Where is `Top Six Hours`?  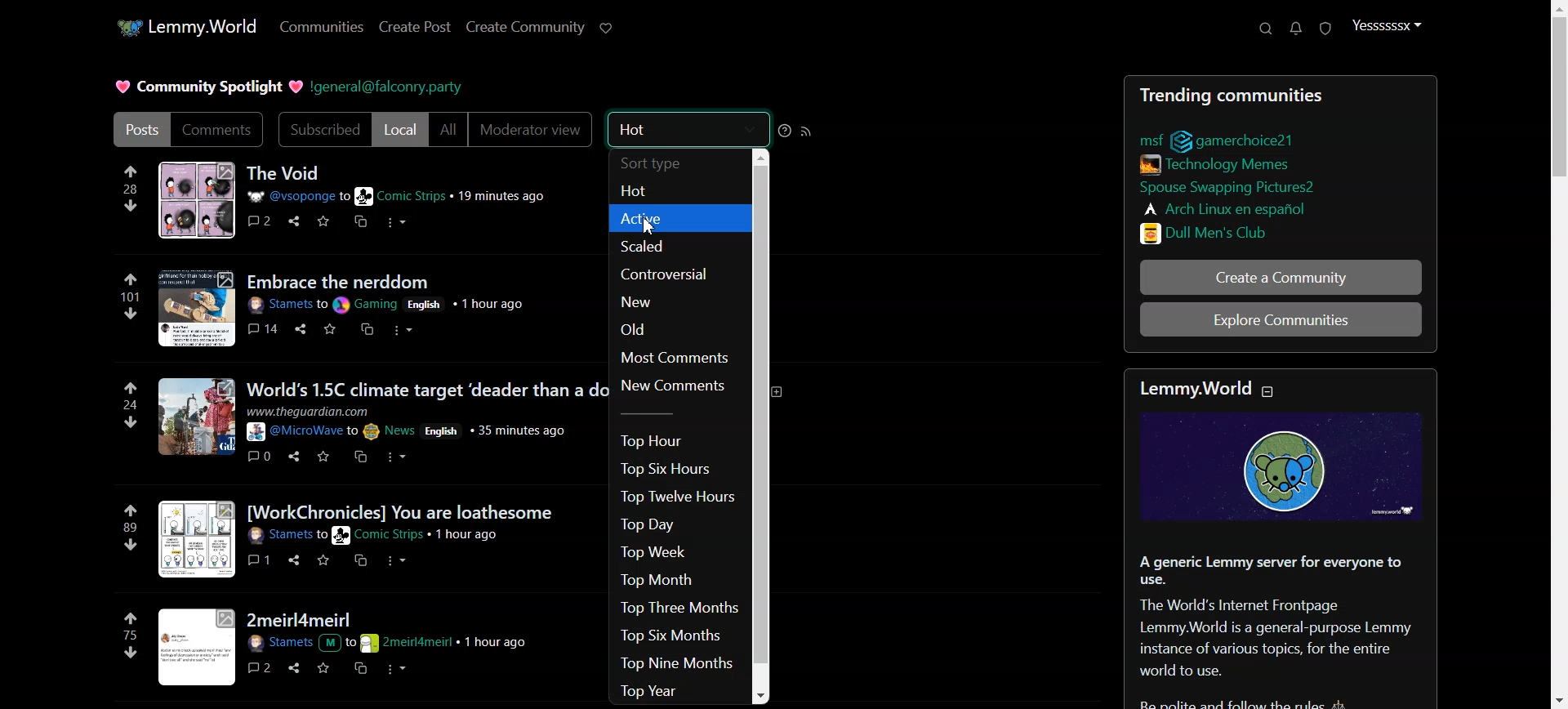 Top Six Hours is located at coordinates (674, 468).